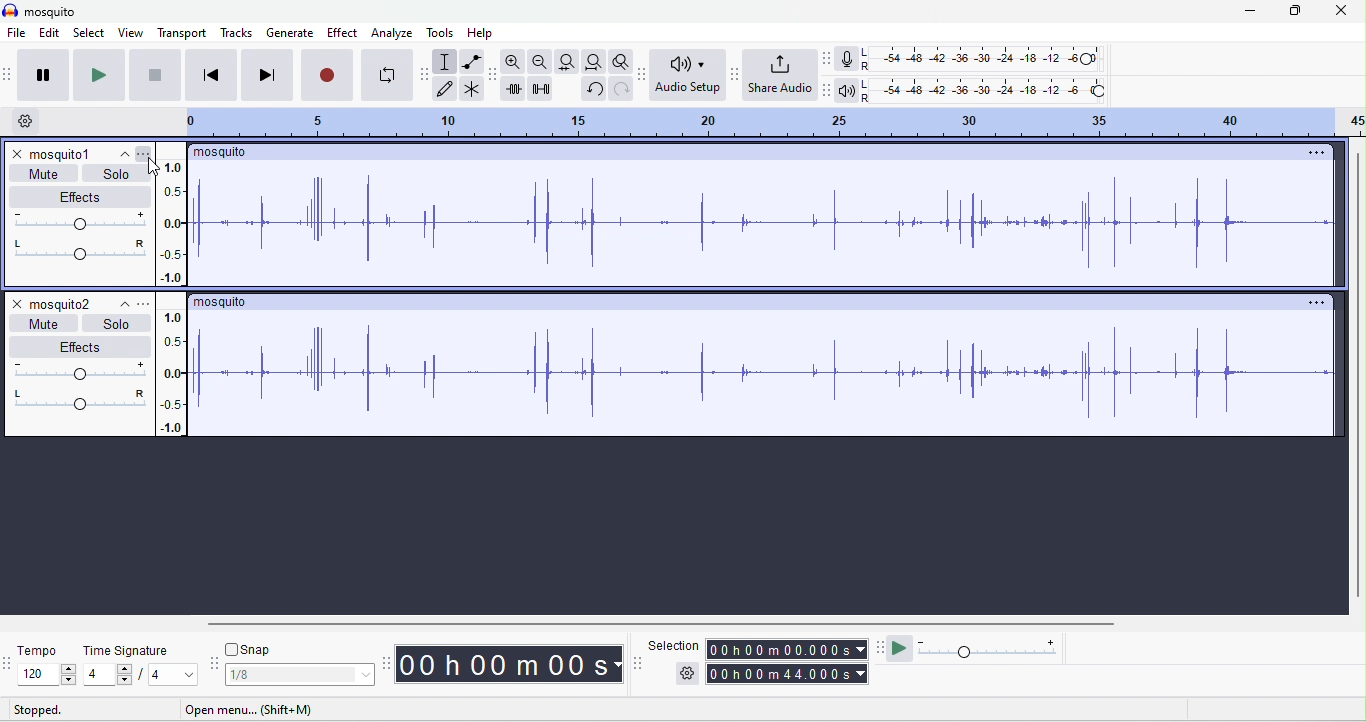  Describe the element at coordinates (389, 665) in the screenshot. I see `time tool` at that location.